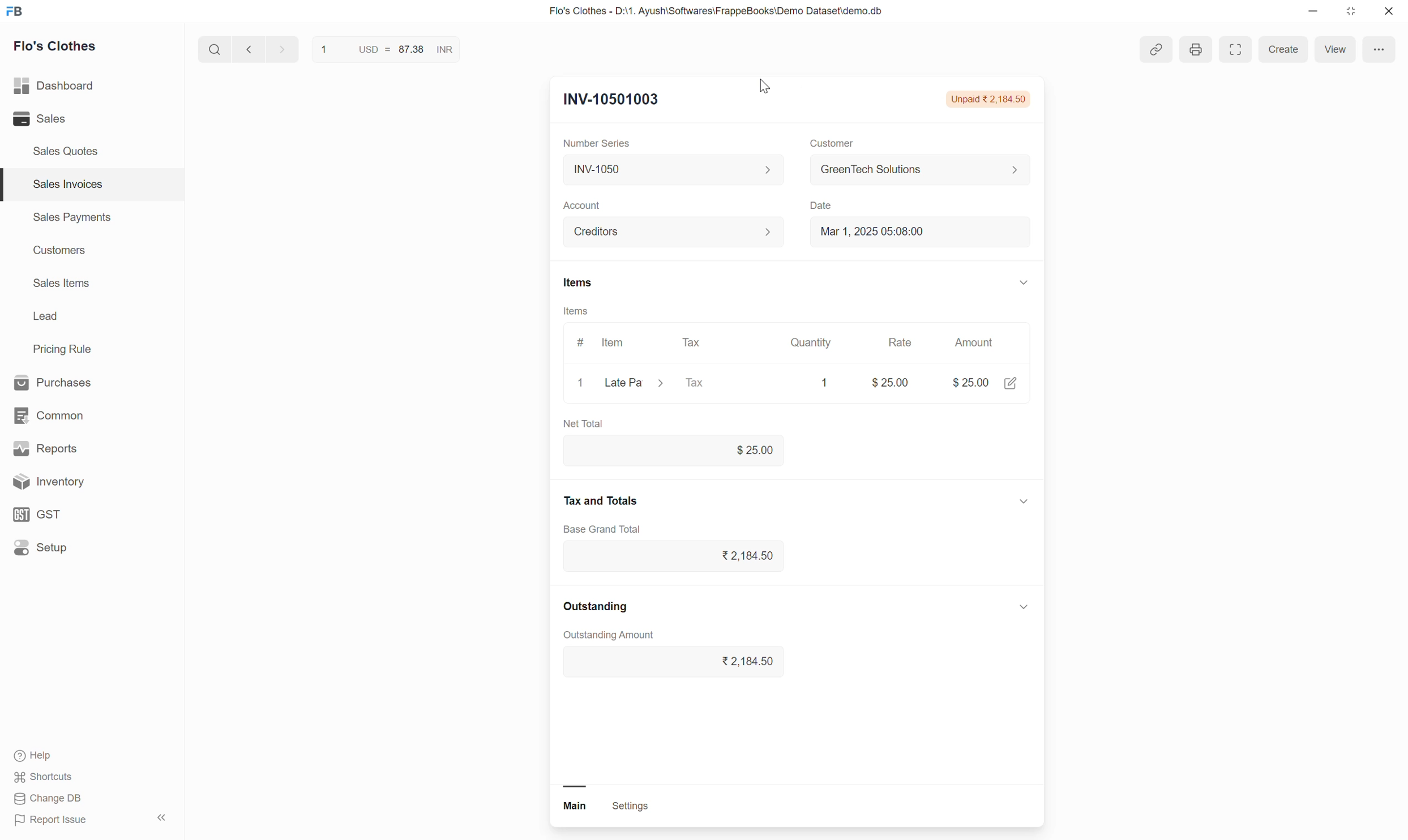 This screenshot has height=840, width=1408. Describe the element at coordinates (66, 184) in the screenshot. I see `Sales Invoices` at that location.